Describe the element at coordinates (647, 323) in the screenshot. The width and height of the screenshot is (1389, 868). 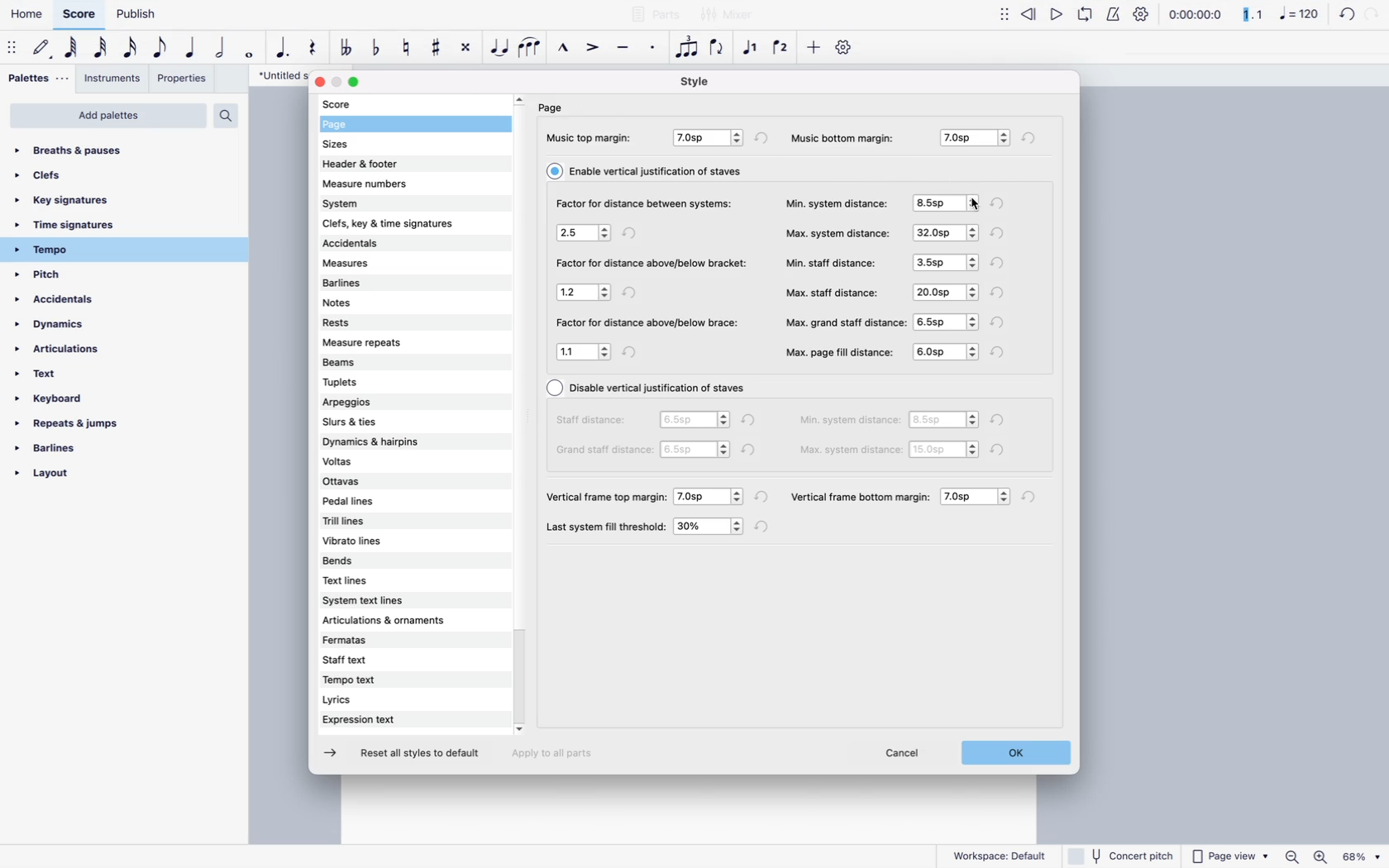
I see `factor for distance ` at that location.